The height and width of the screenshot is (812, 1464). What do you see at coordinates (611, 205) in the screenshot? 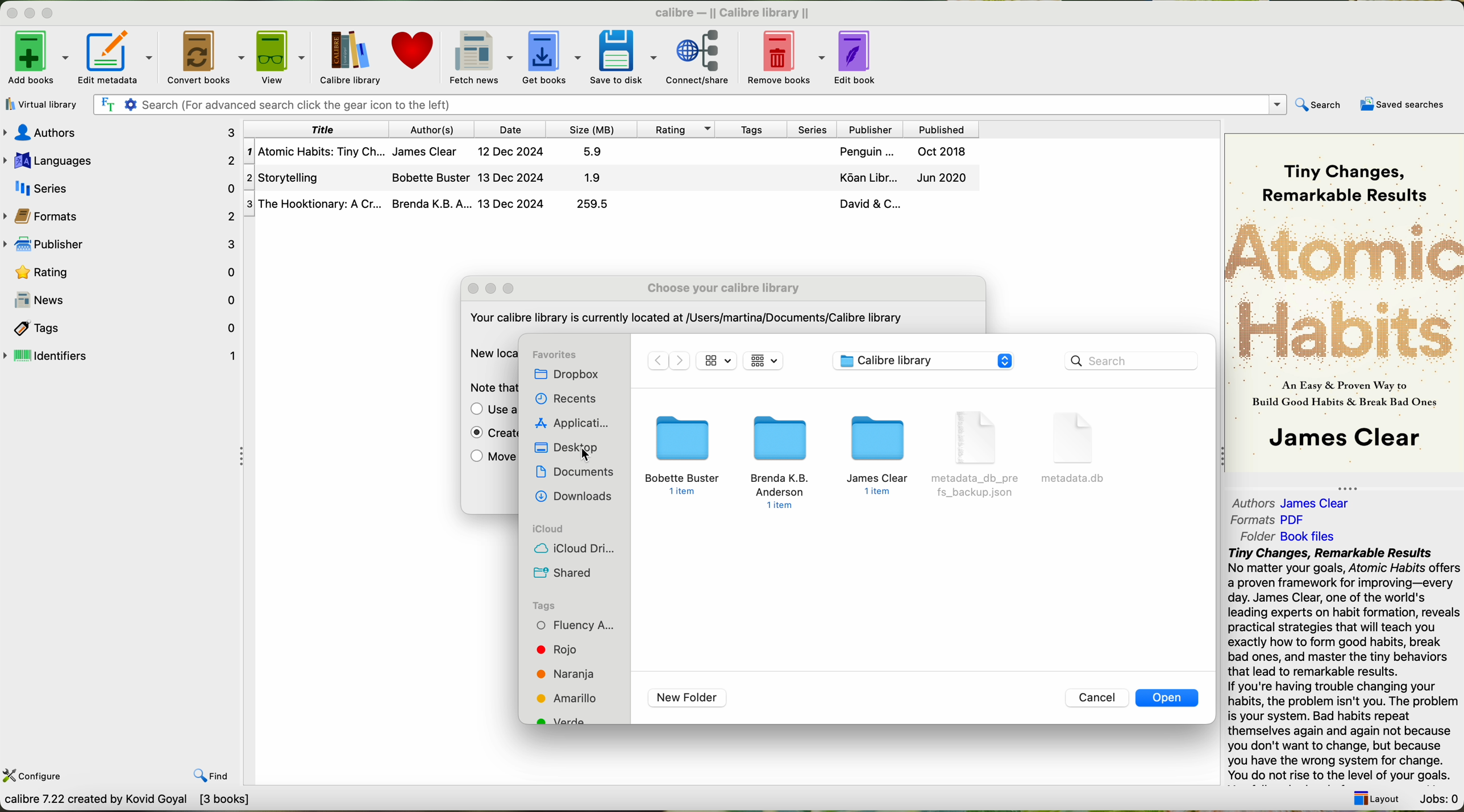
I see `Third Book The Hooktionary` at bounding box center [611, 205].